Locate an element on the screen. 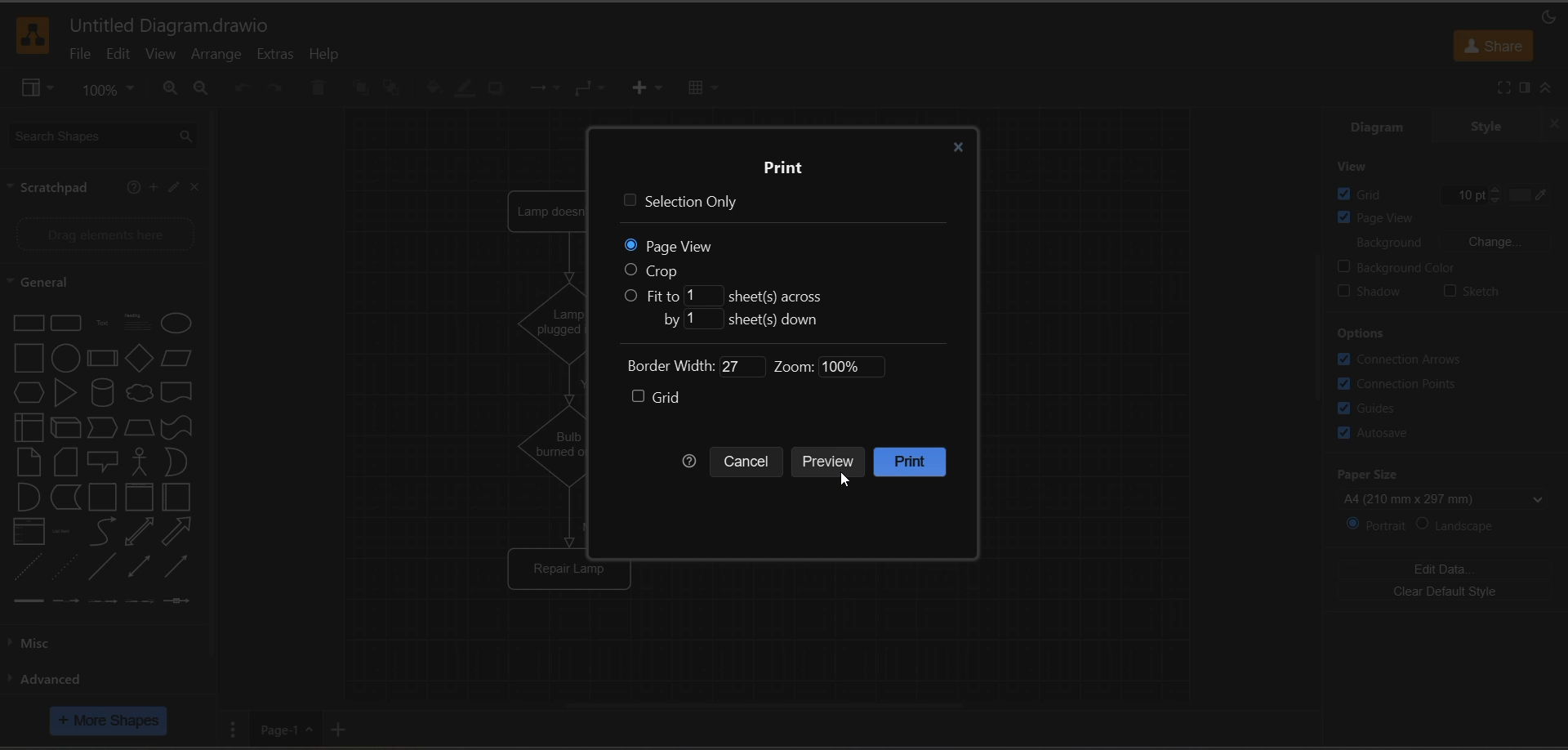 The image size is (1568, 750). print is located at coordinates (919, 462).